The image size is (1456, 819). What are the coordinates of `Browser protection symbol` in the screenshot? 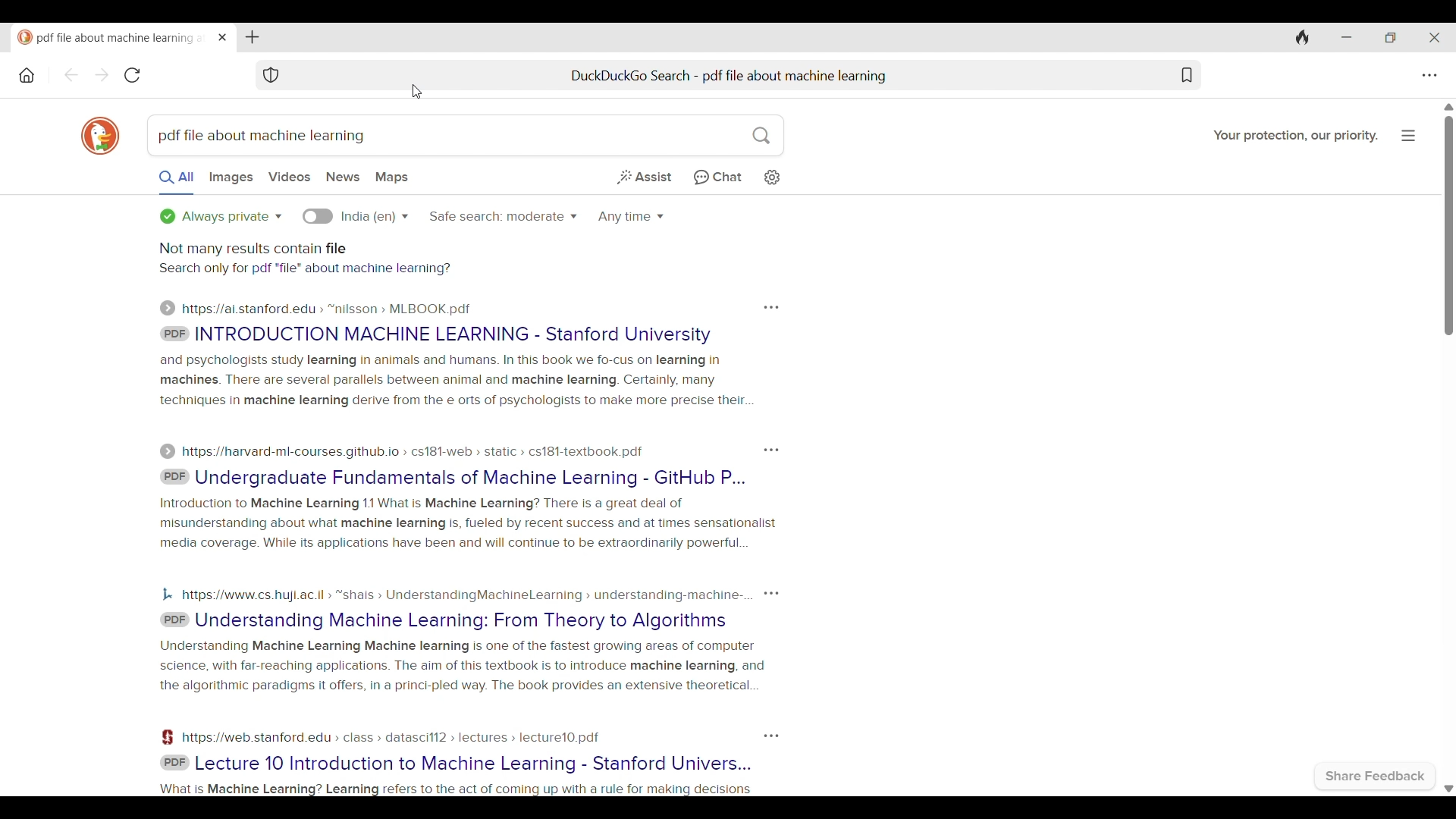 It's located at (271, 75).